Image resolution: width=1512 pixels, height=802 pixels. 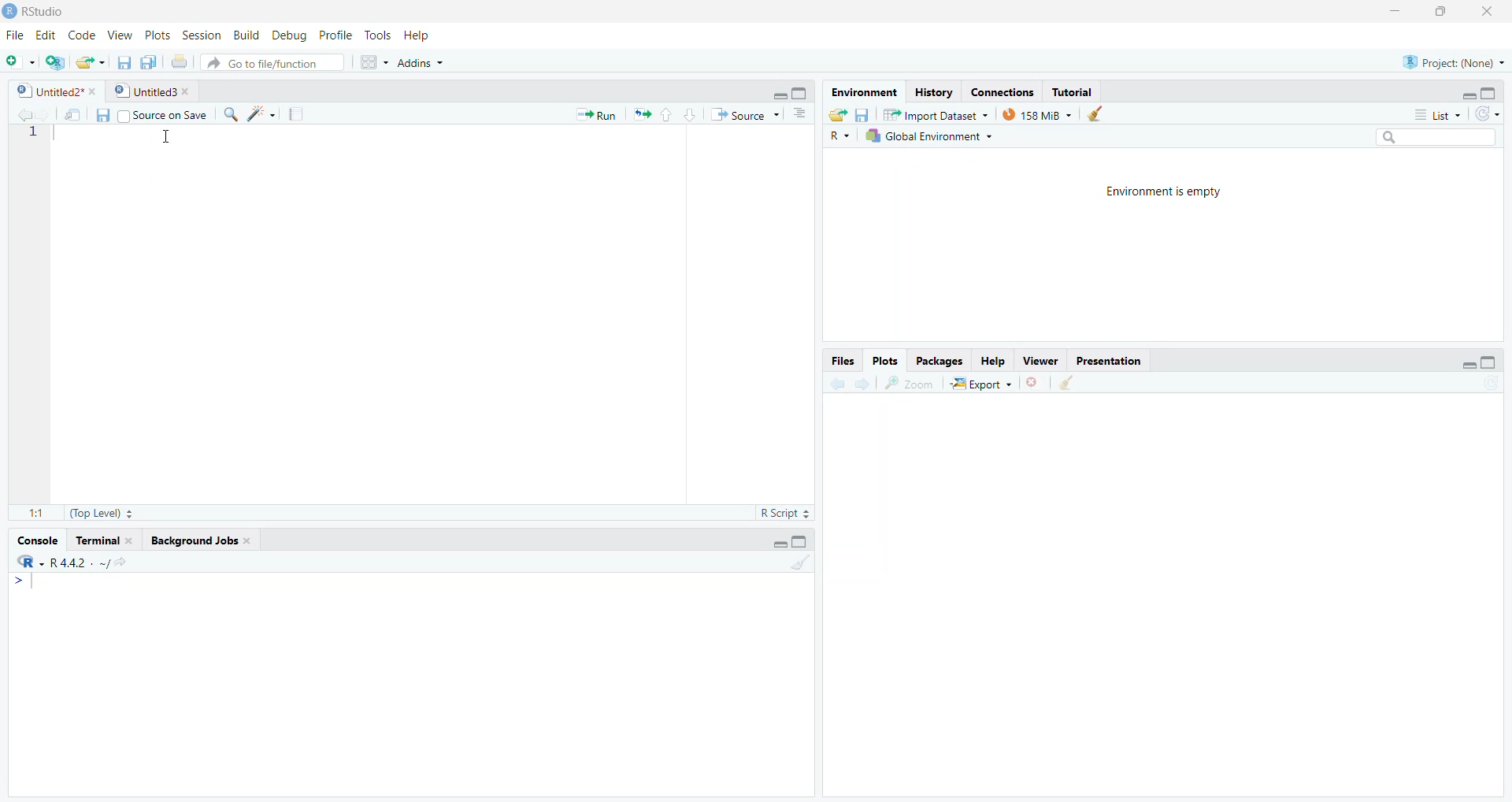 What do you see at coordinates (1173, 602) in the screenshot?
I see `Pane` at bounding box center [1173, 602].